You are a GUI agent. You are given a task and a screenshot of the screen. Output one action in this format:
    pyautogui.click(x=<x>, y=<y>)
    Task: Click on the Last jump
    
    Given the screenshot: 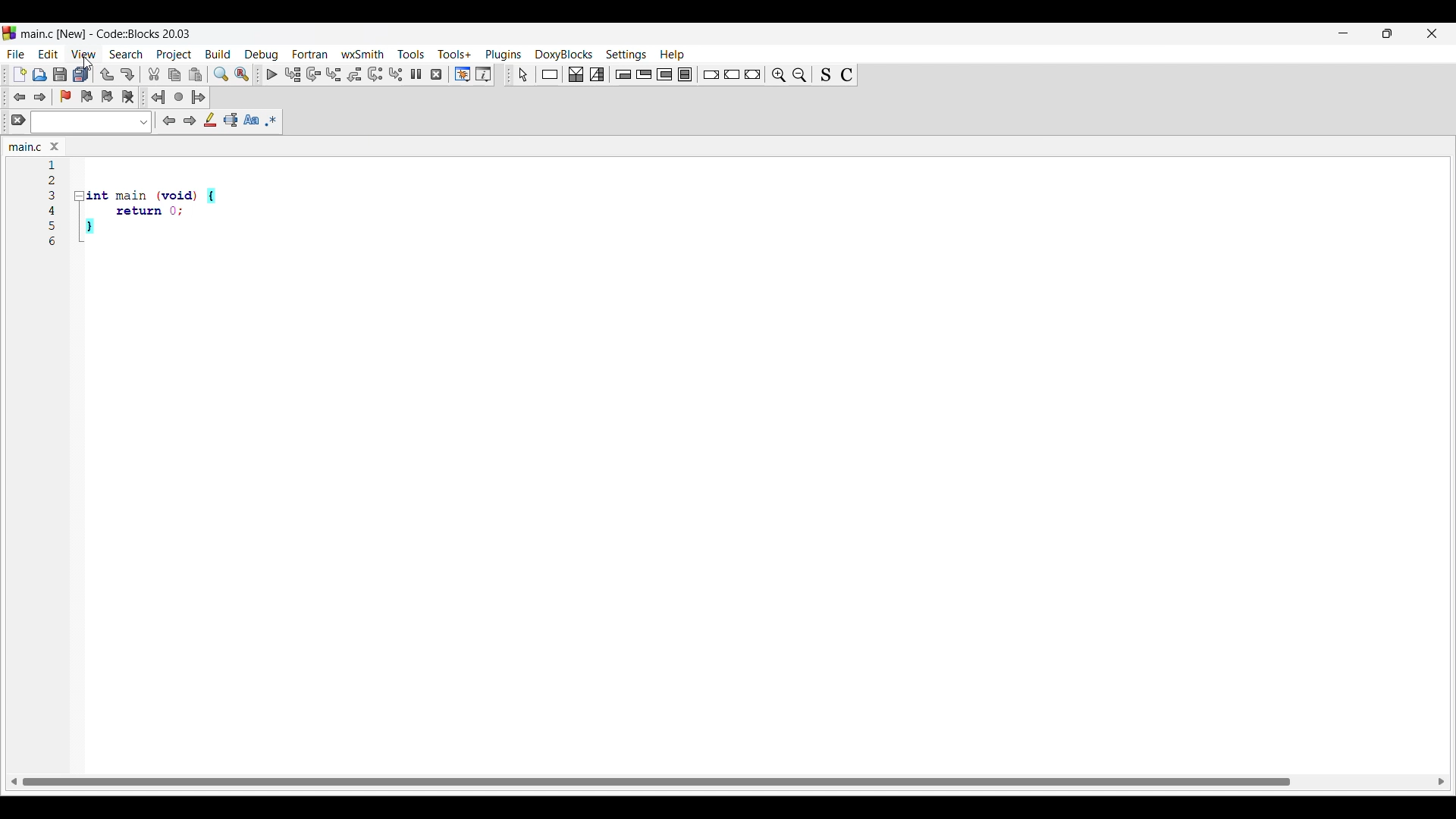 What is the action you would take?
    pyautogui.click(x=178, y=97)
    